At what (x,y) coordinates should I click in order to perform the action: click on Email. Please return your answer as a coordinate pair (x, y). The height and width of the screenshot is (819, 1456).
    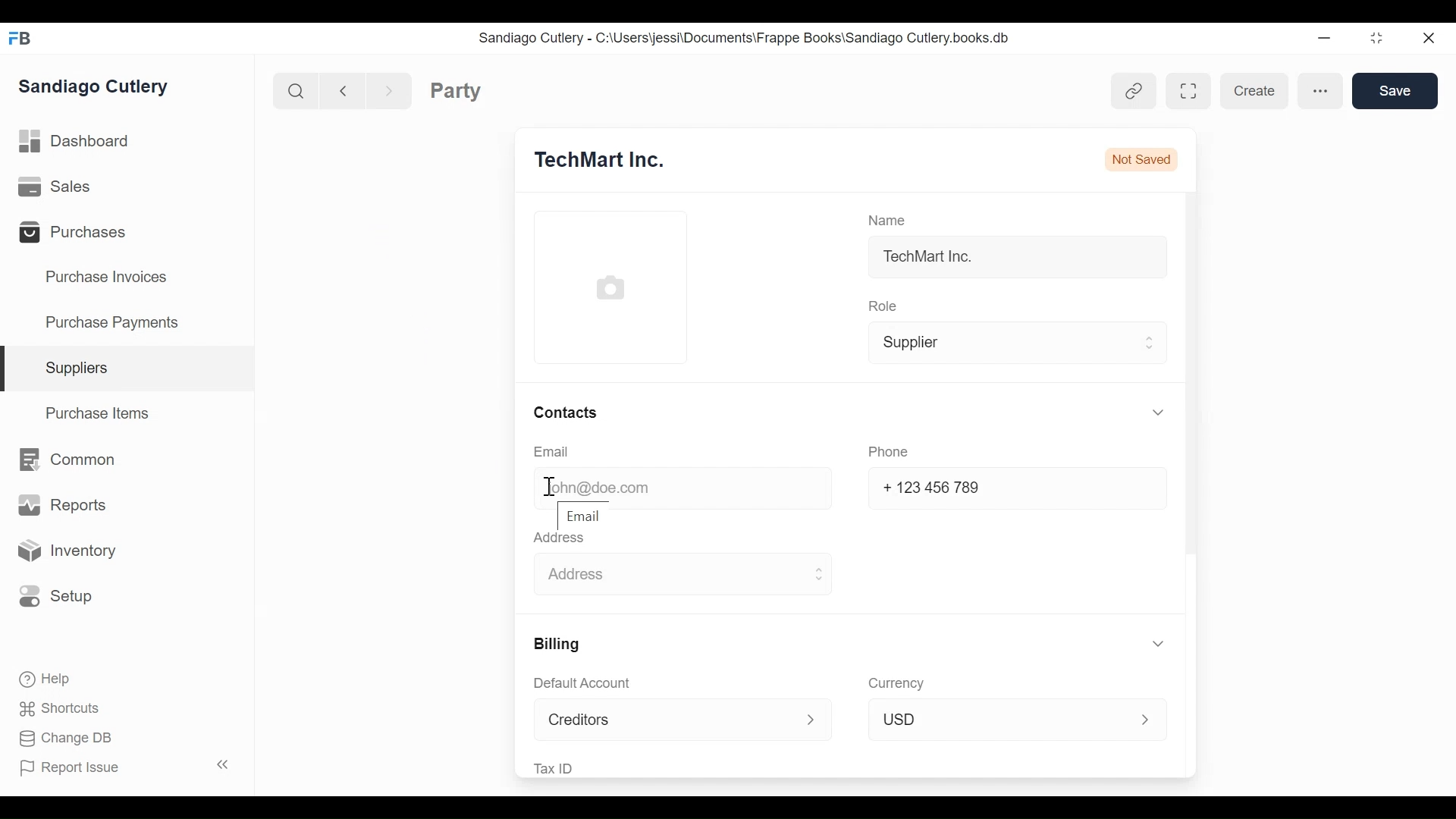
    Looking at the image, I should click on (552, 452).